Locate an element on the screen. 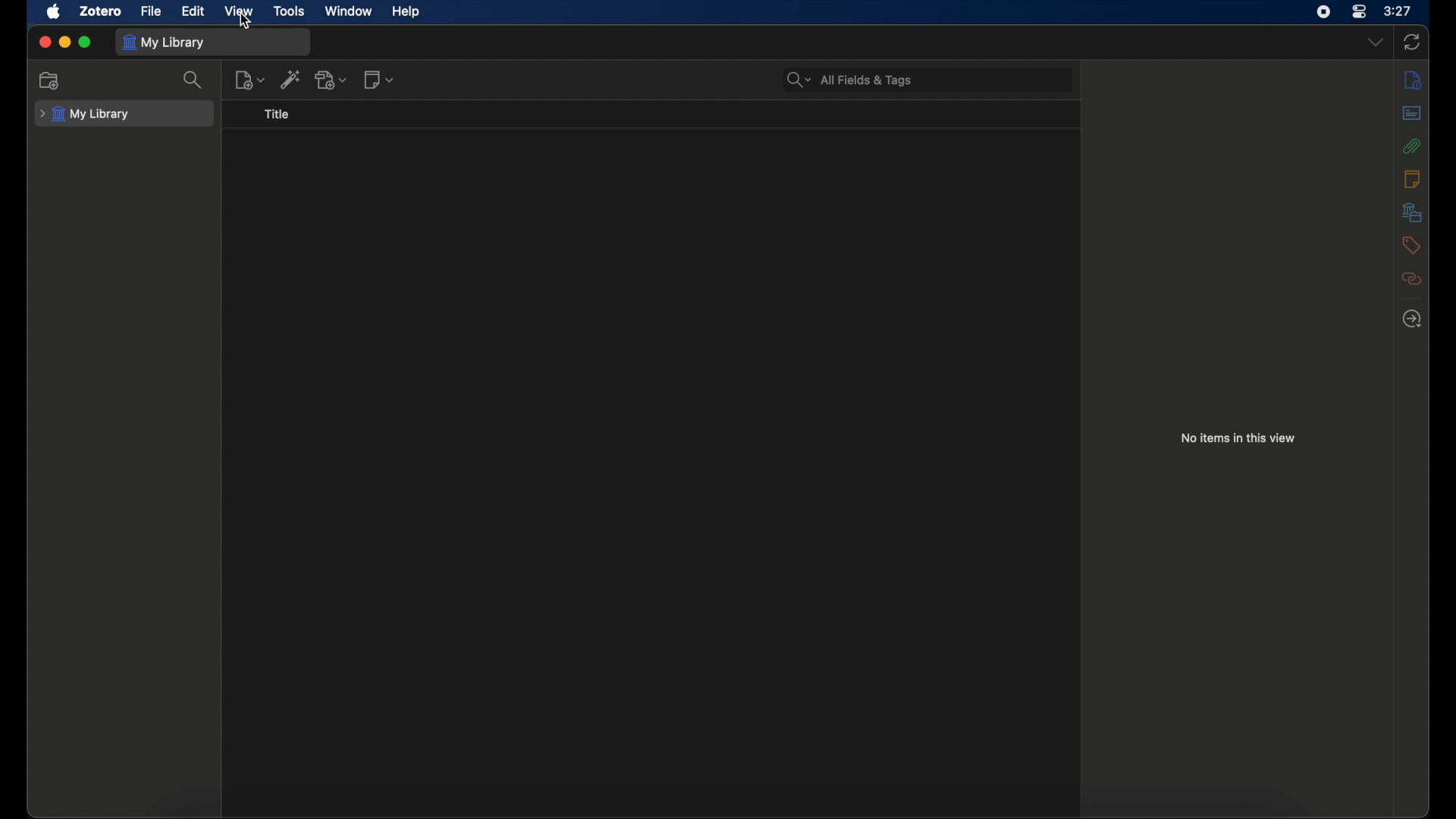 Image resolution: width=1456 pixels, height=819 pixels. my library is located at coordinates (86, 115).